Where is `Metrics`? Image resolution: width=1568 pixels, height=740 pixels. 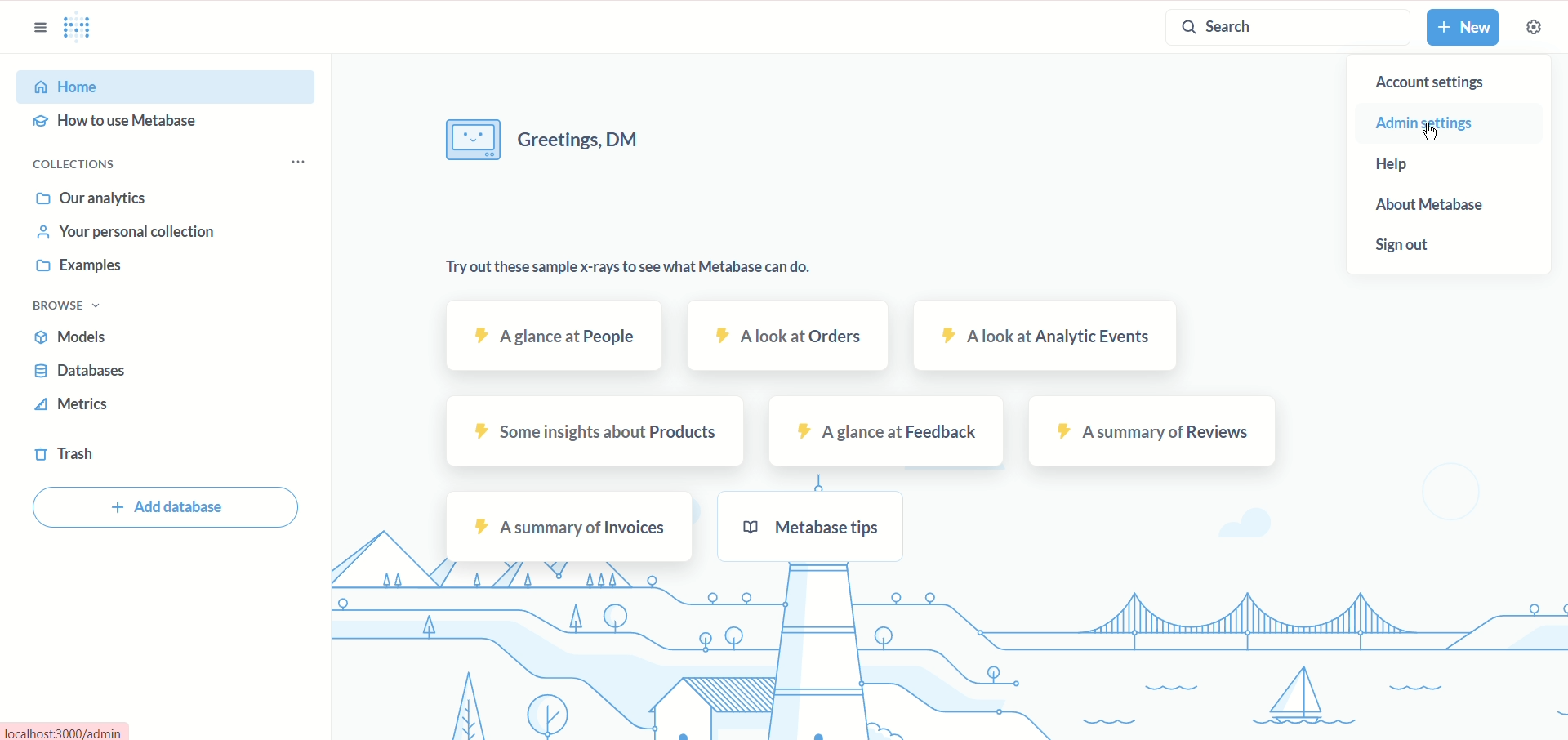
Metrics is located at coordinates (144, 403).